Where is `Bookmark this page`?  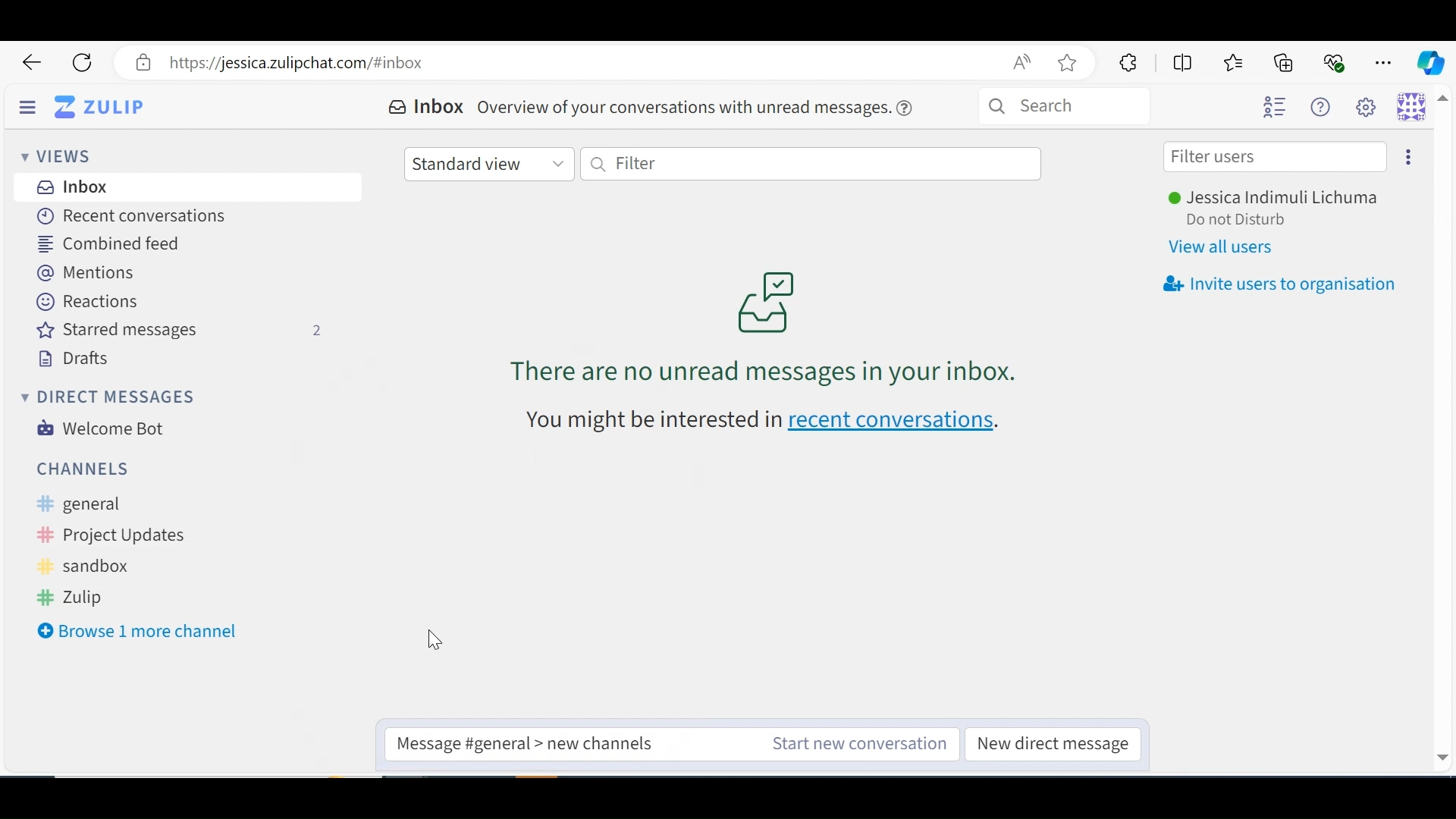 Bookmark this page is located at coordinates (1072, 64).